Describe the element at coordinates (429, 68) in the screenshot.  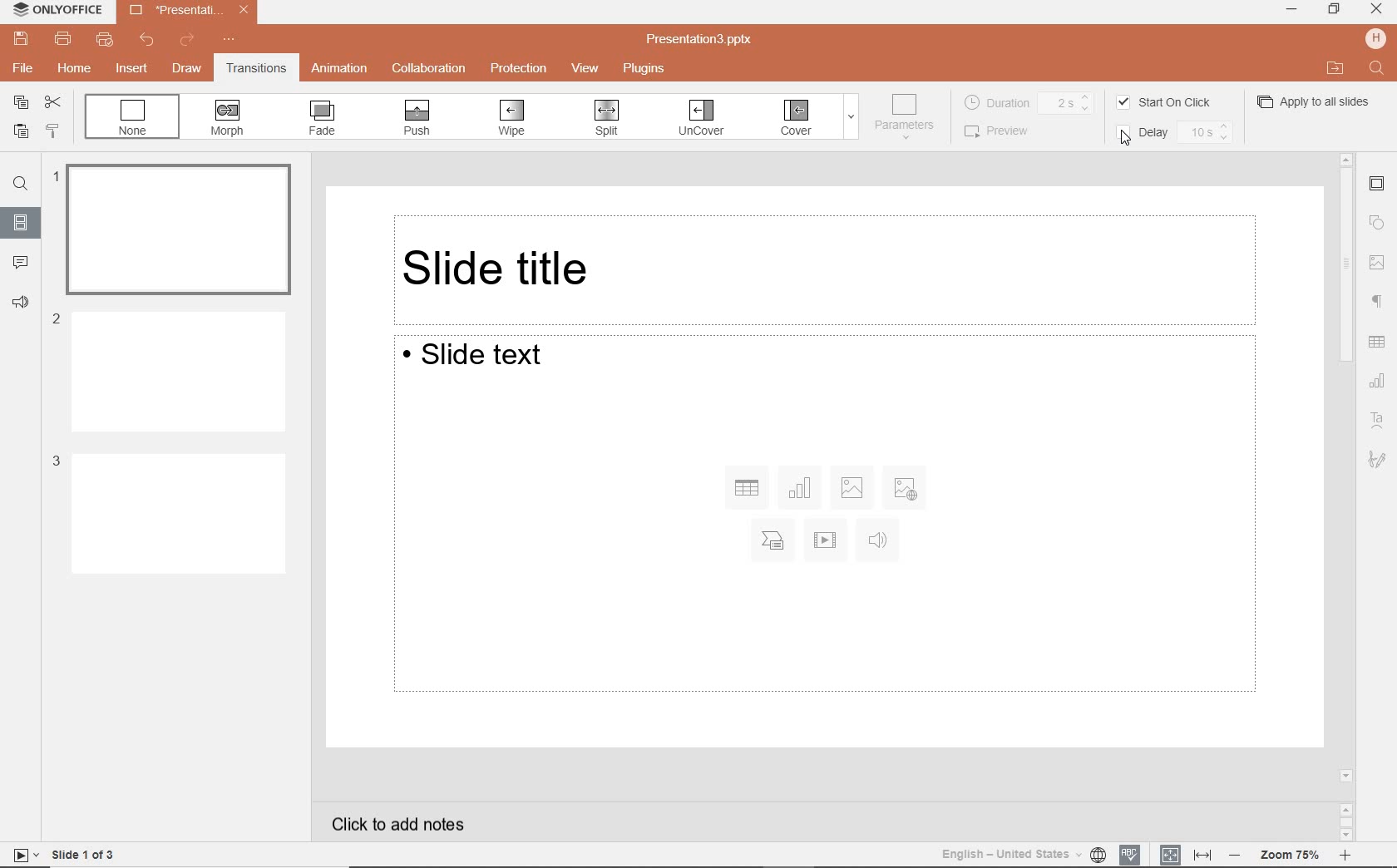
I see `collaboration` at that location.